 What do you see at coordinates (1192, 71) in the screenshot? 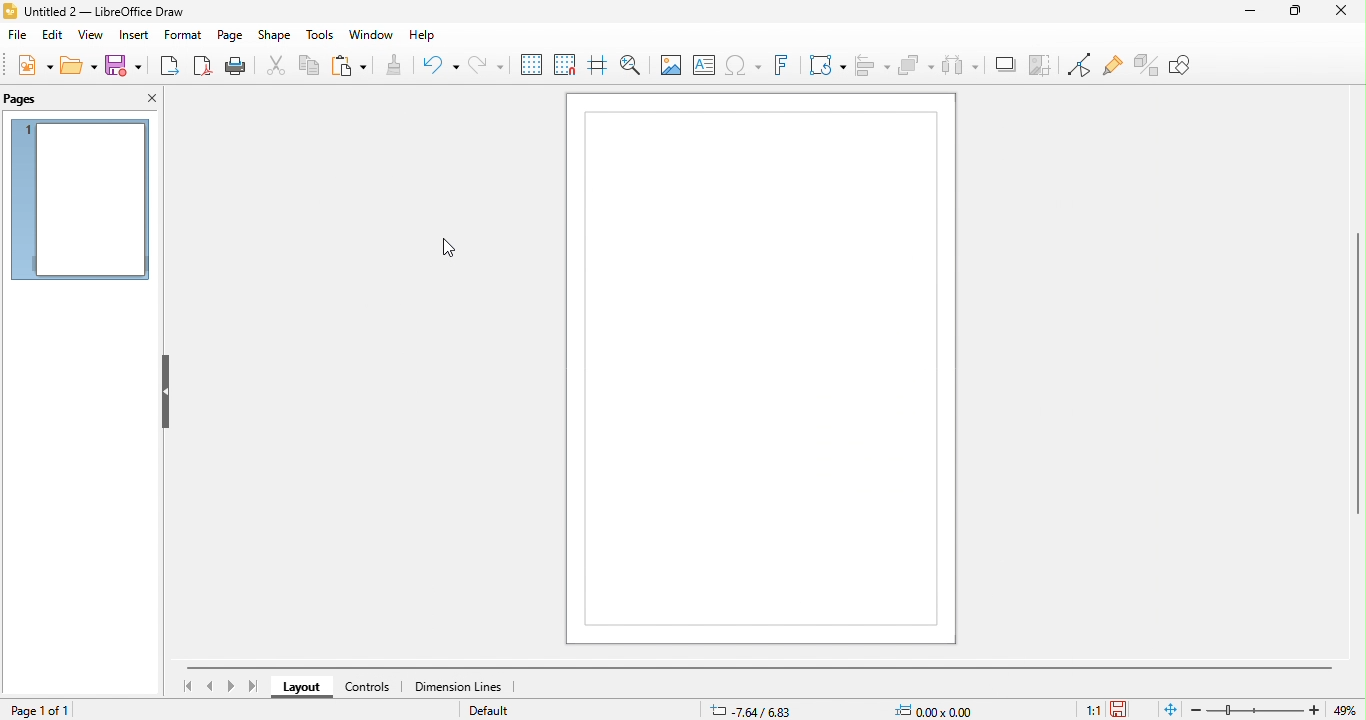
I see `show draw functions` at bounding box center [1192, 71].